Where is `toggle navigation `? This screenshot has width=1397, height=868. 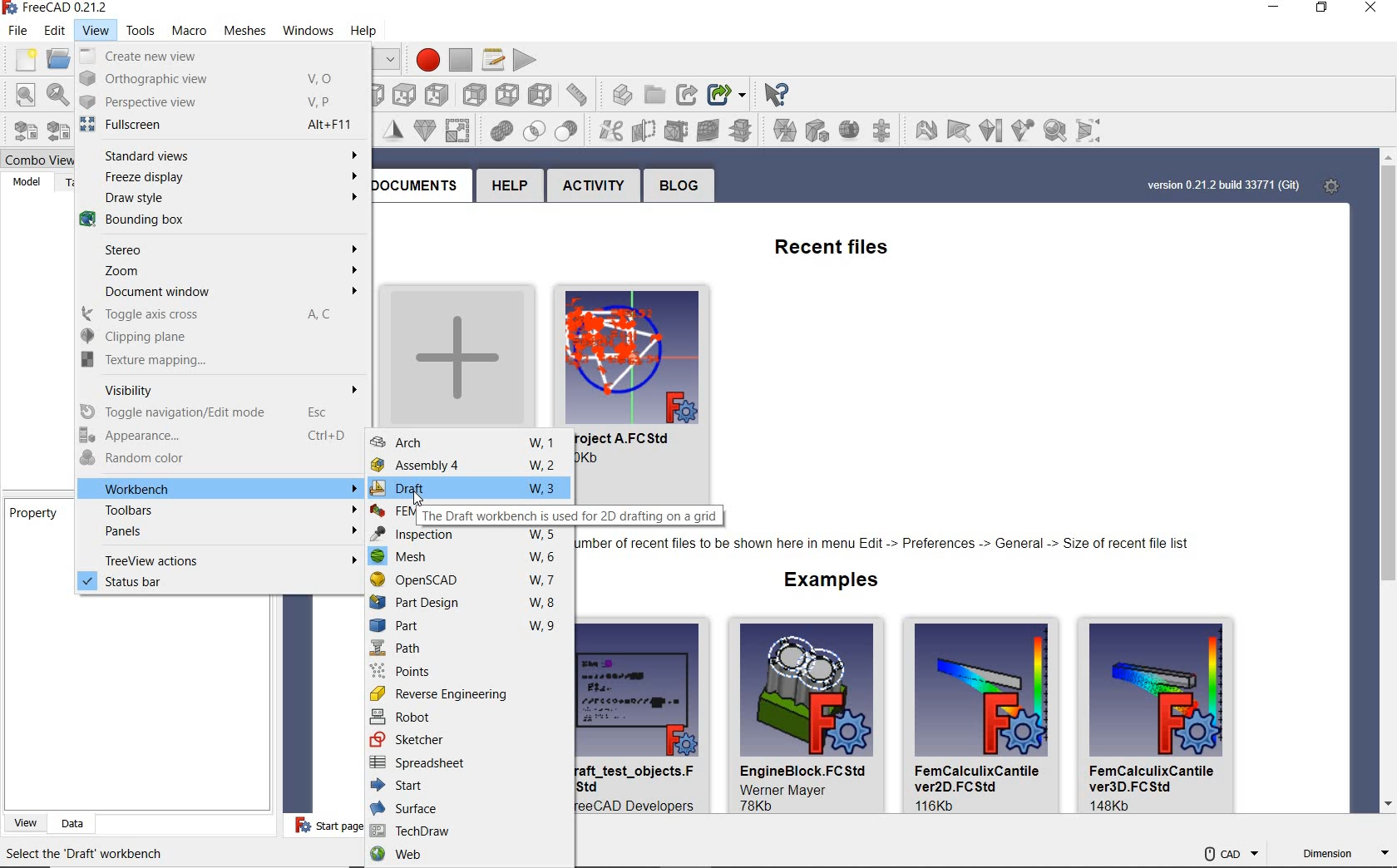
toggle navigation  is located at coordinates (222, 412).